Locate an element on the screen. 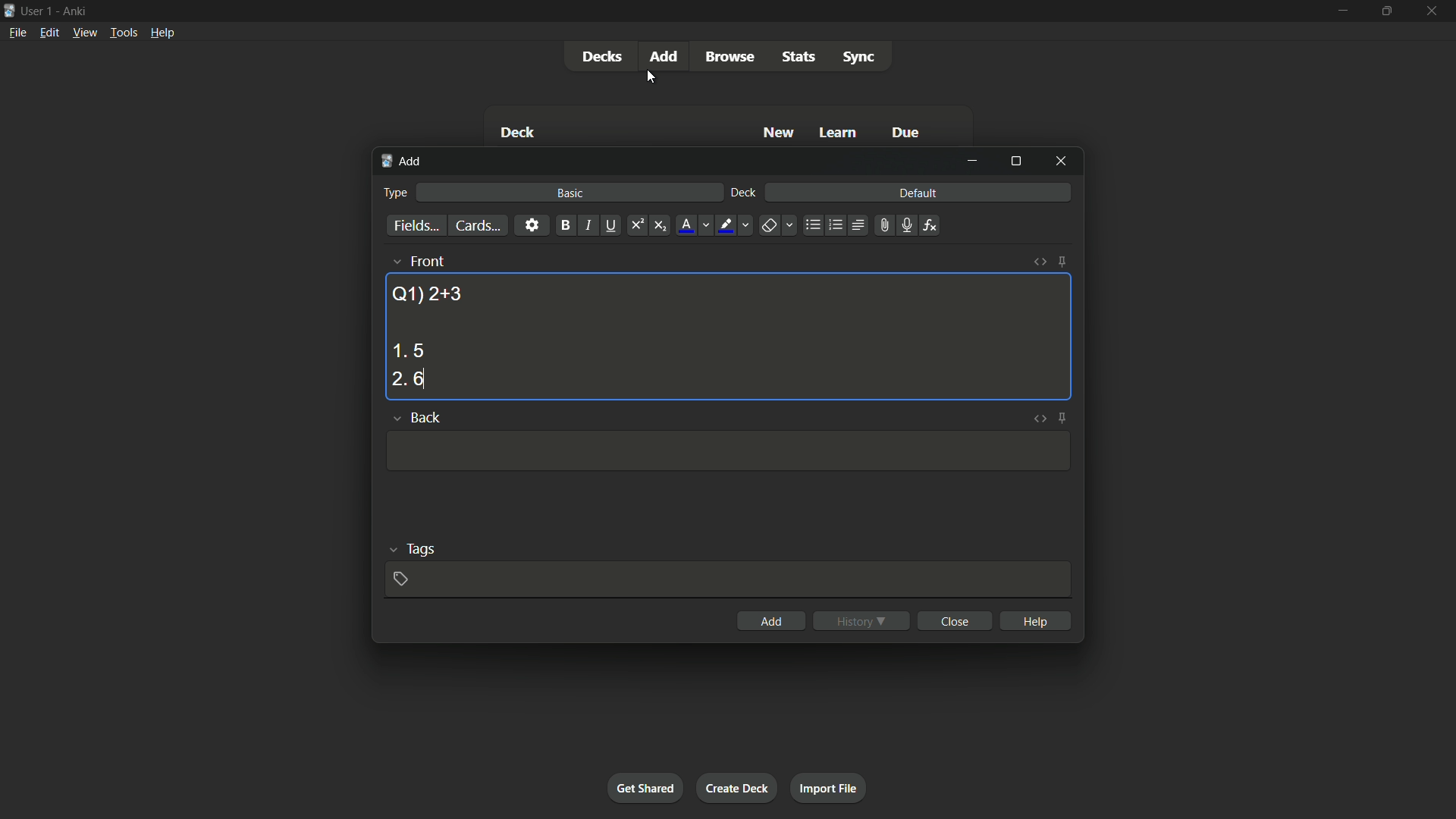 This screenshot has width=1456, height=819. add is located at coordinates (403, 162).